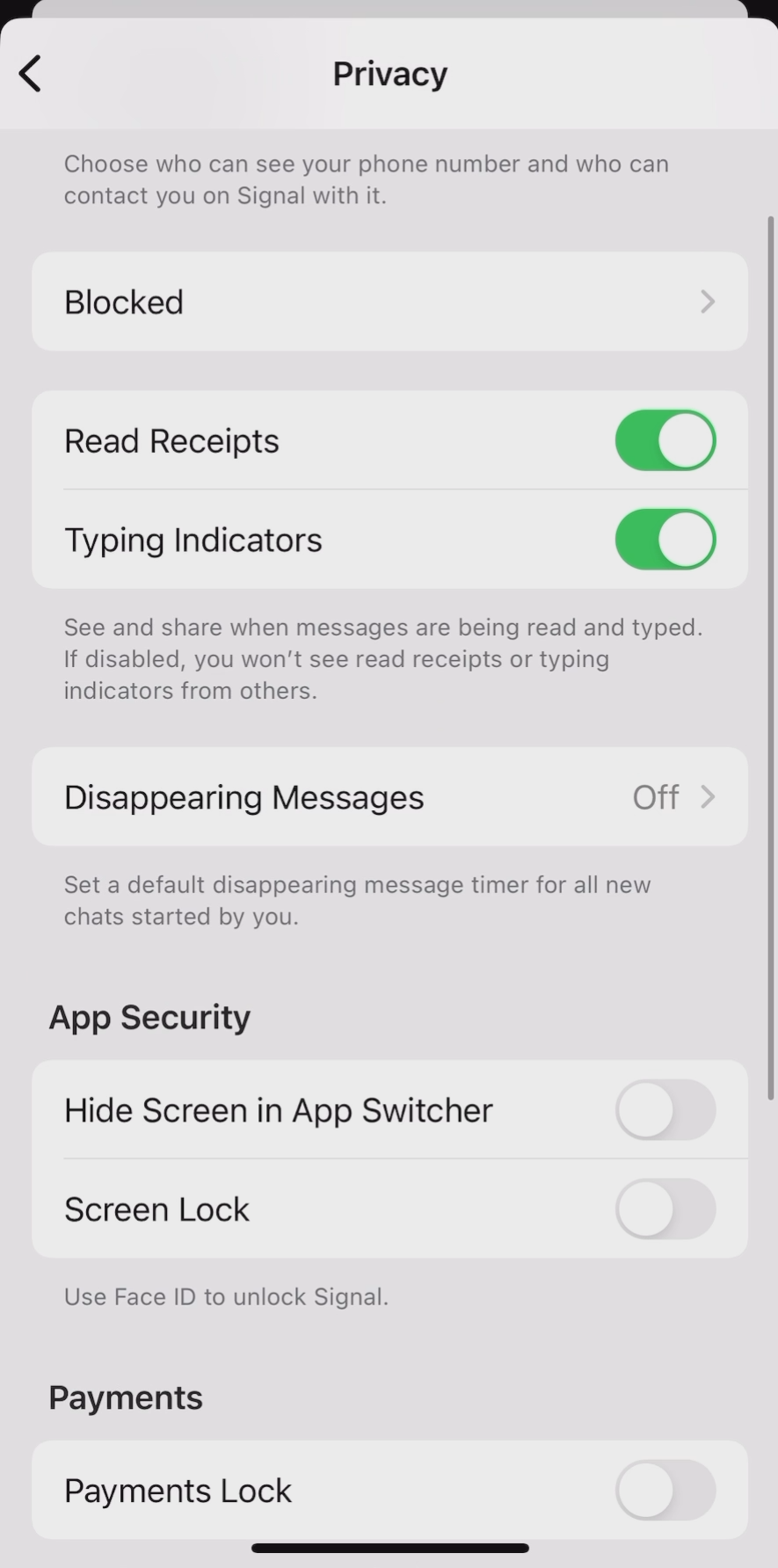 This screenshot has width=778, height=1568. Describe the element at coordinates (392, 1110) in the screenshot. I see `hide screen in app switcher disabled` at that location.